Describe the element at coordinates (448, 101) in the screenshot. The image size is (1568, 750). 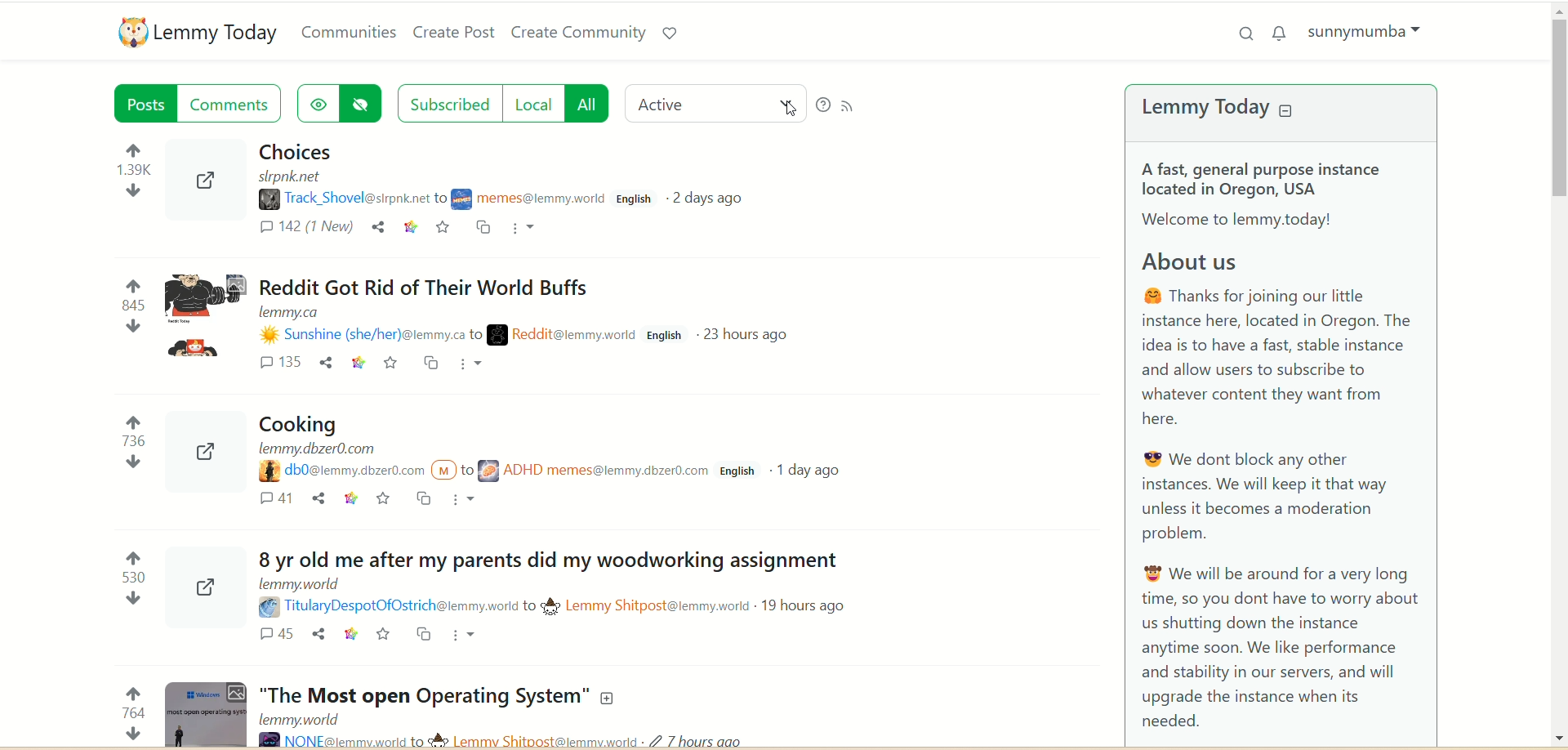
I see `subscribed` at that location.